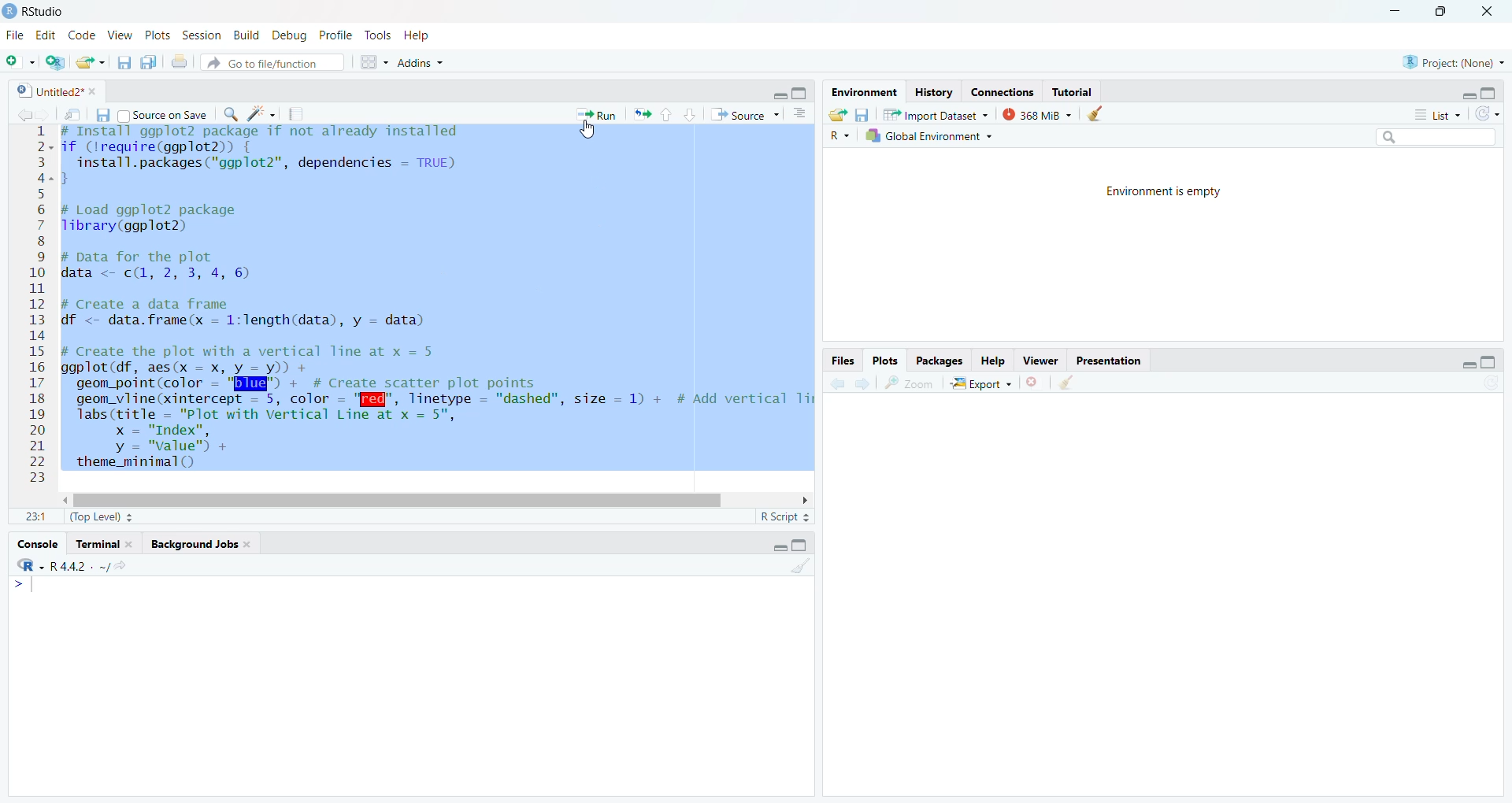 Image resolution: width=1512 pixels, height=803 pixels. I want to click on + Addins ~, so click(427, 62).